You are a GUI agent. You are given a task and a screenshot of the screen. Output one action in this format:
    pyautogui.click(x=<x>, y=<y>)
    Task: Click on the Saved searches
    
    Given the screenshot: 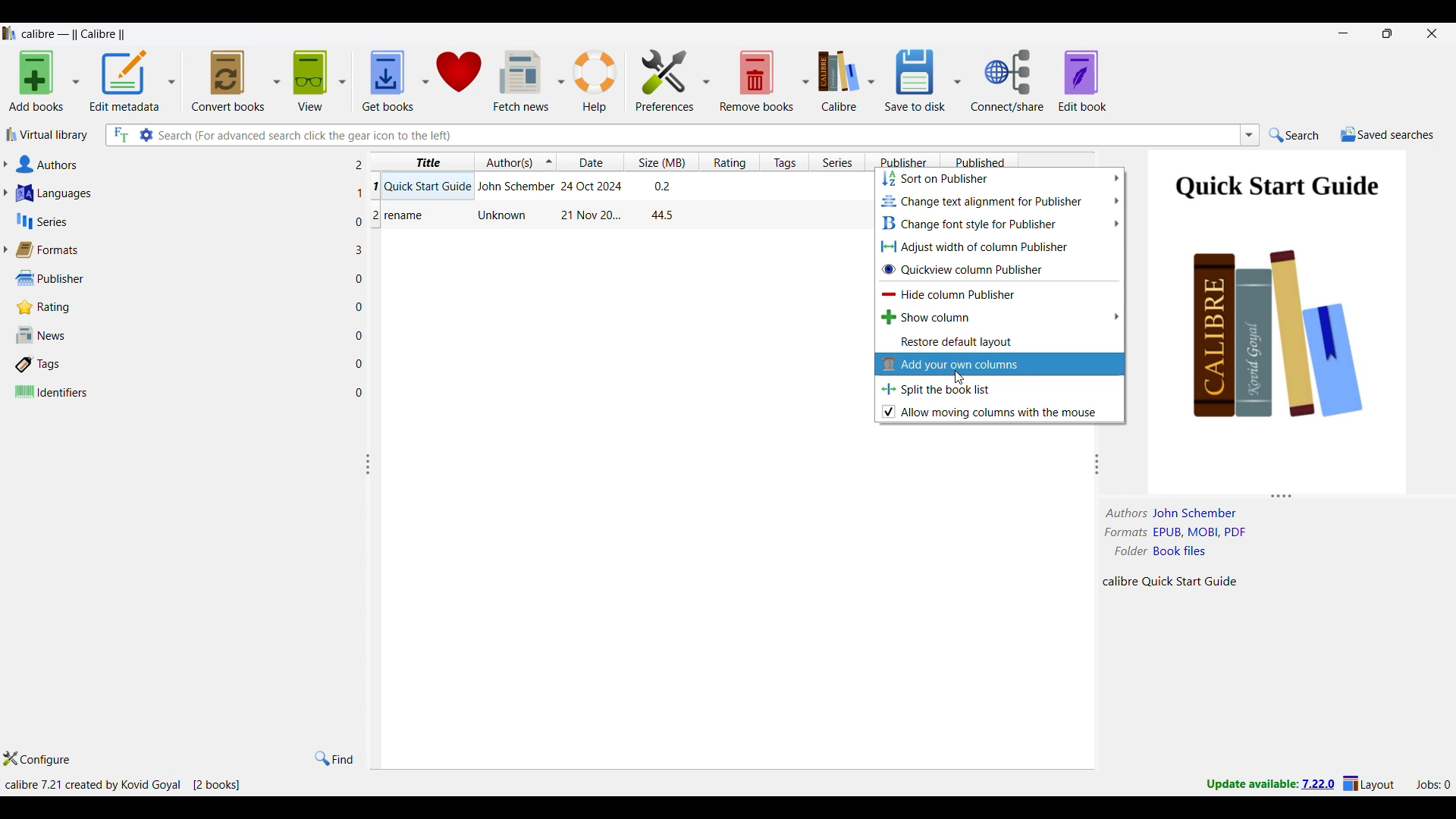 What is the action you would take?
    pyautogui.click(x=1387, y=134)
    